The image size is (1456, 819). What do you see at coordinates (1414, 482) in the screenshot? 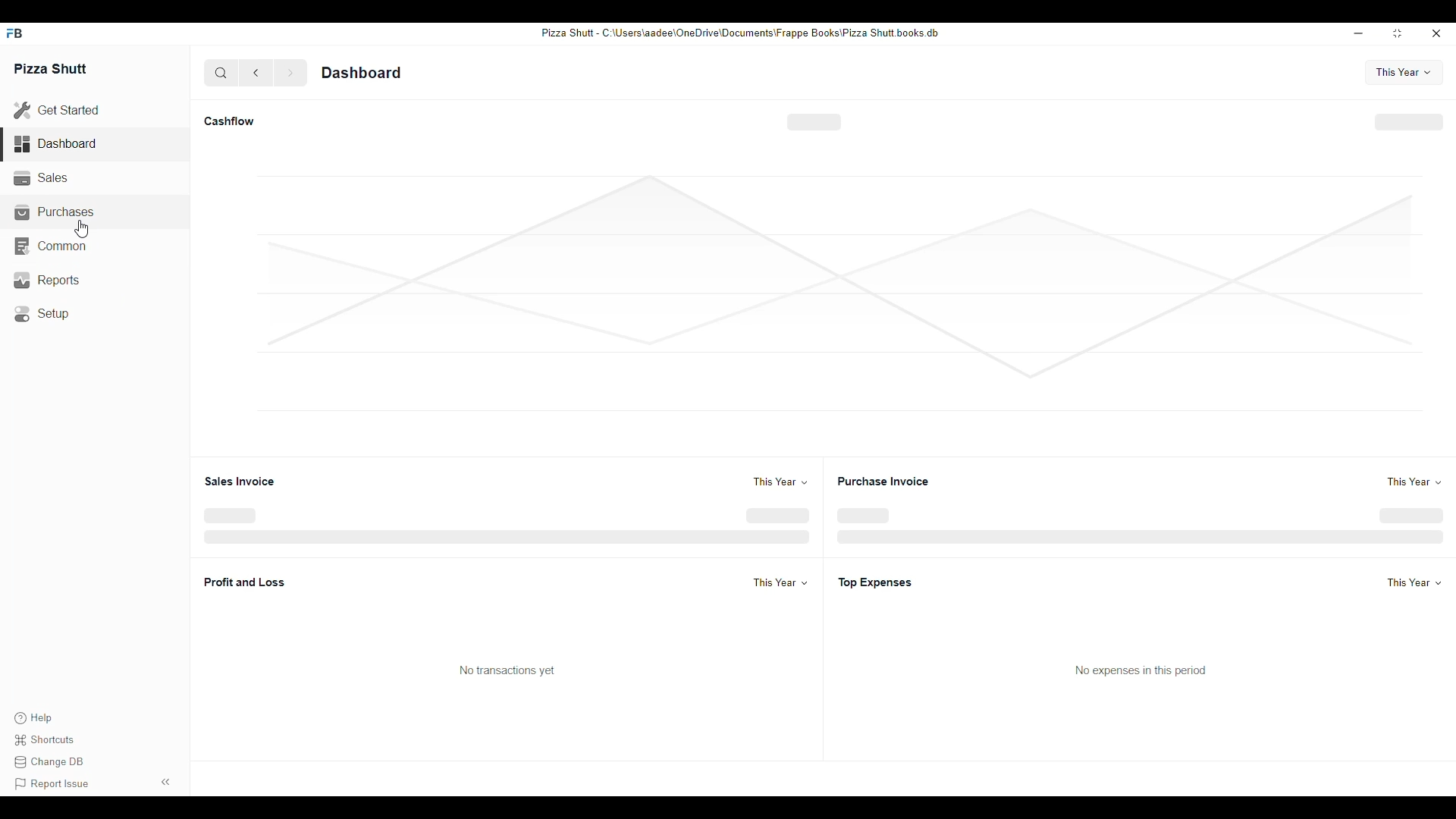
I see `This year` at bounding box center [1414, 482].